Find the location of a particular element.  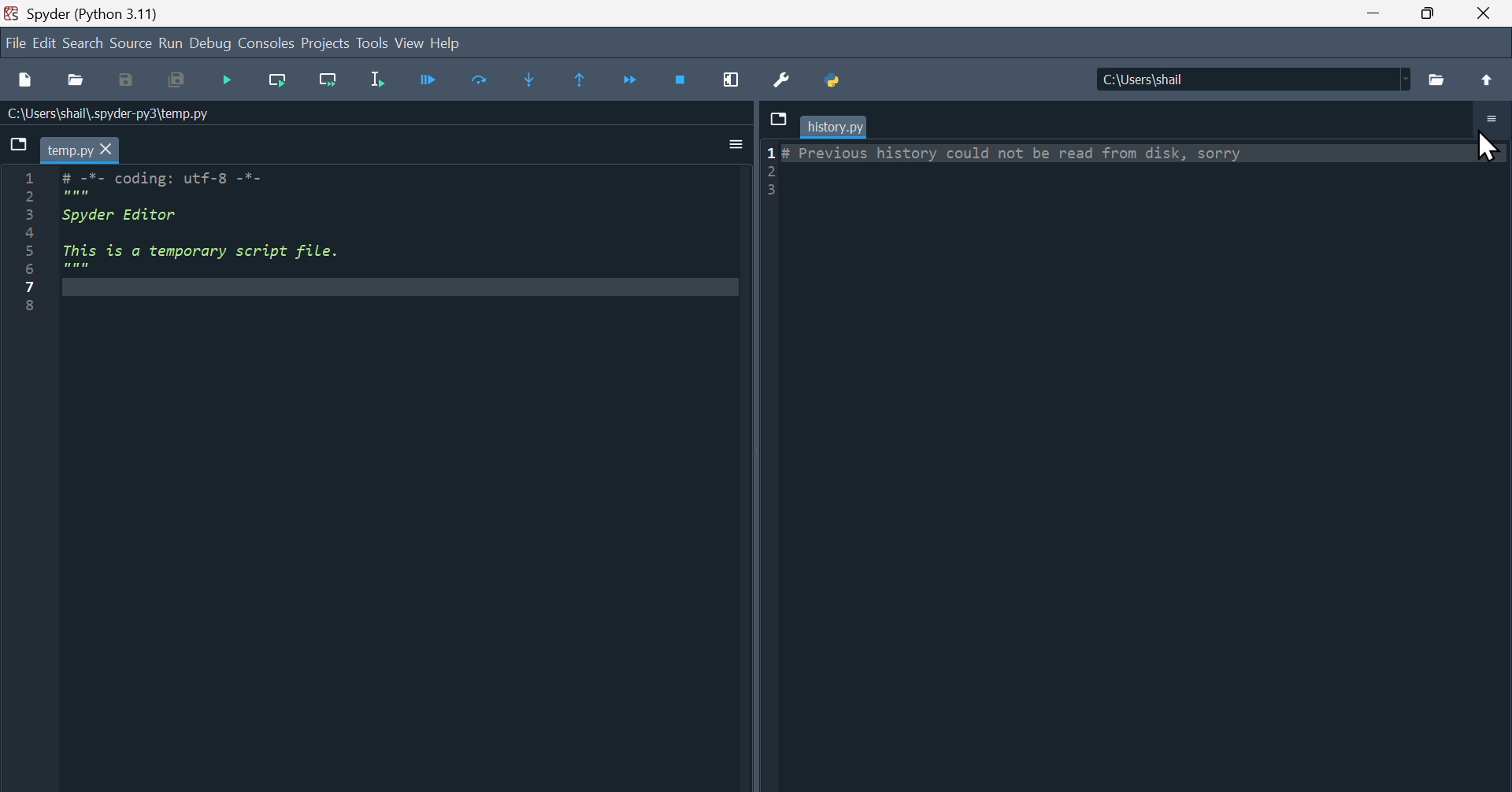

Edit is located at coordinates (43, 43).